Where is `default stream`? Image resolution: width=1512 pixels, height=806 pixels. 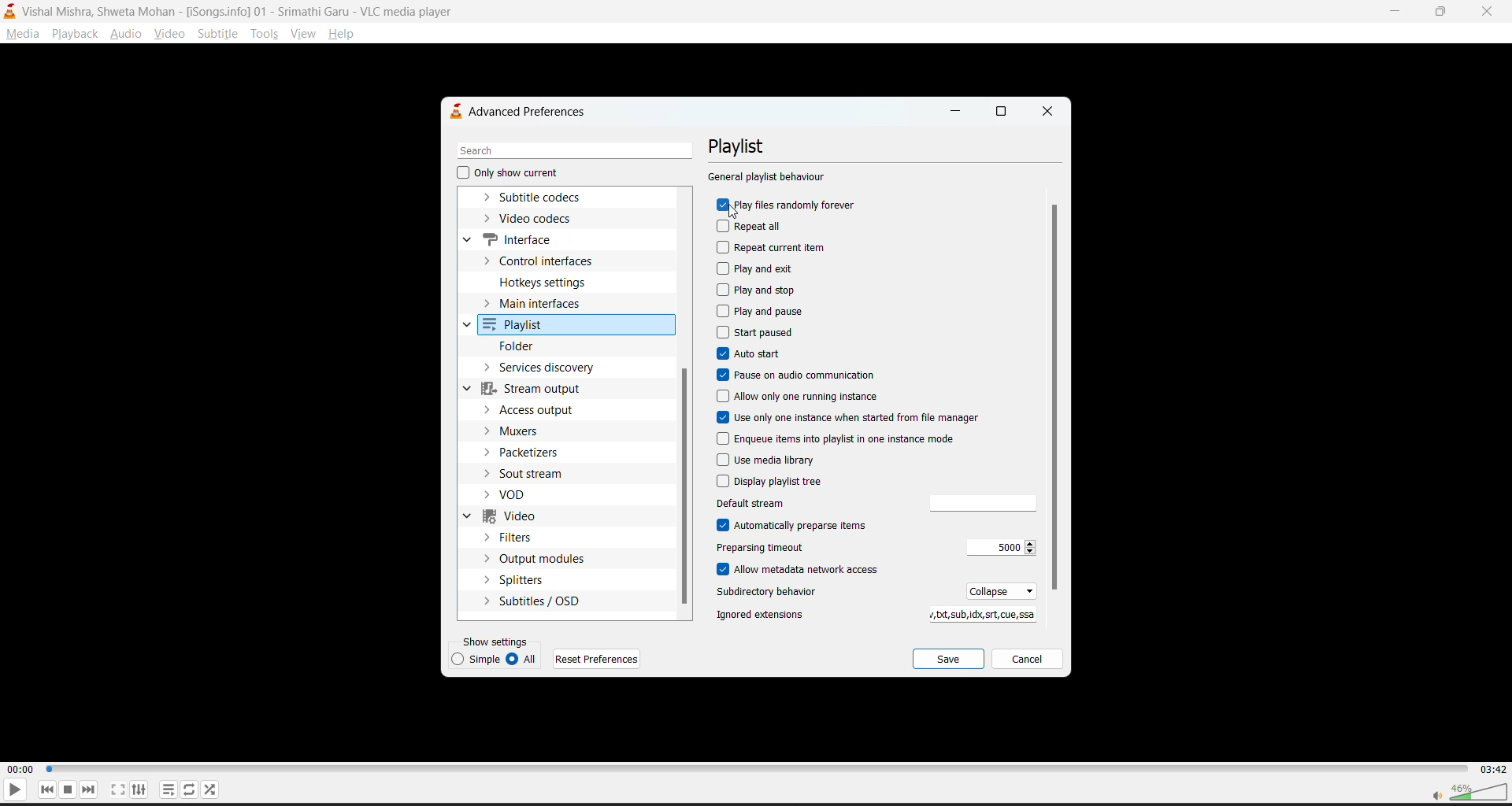 default stream is located at coordinates (875, 504).